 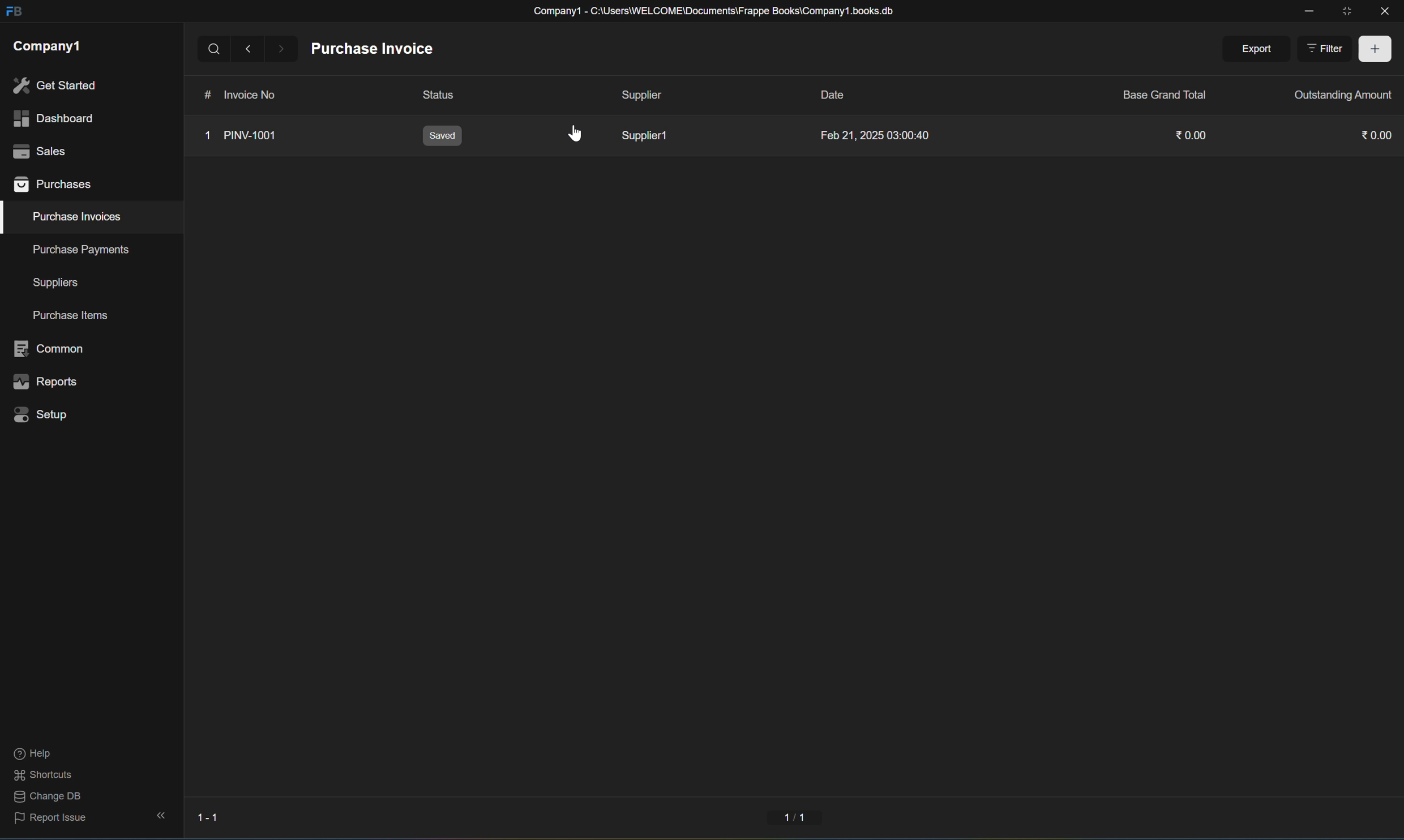 I want to click on +, so click(x=1376, y=49).